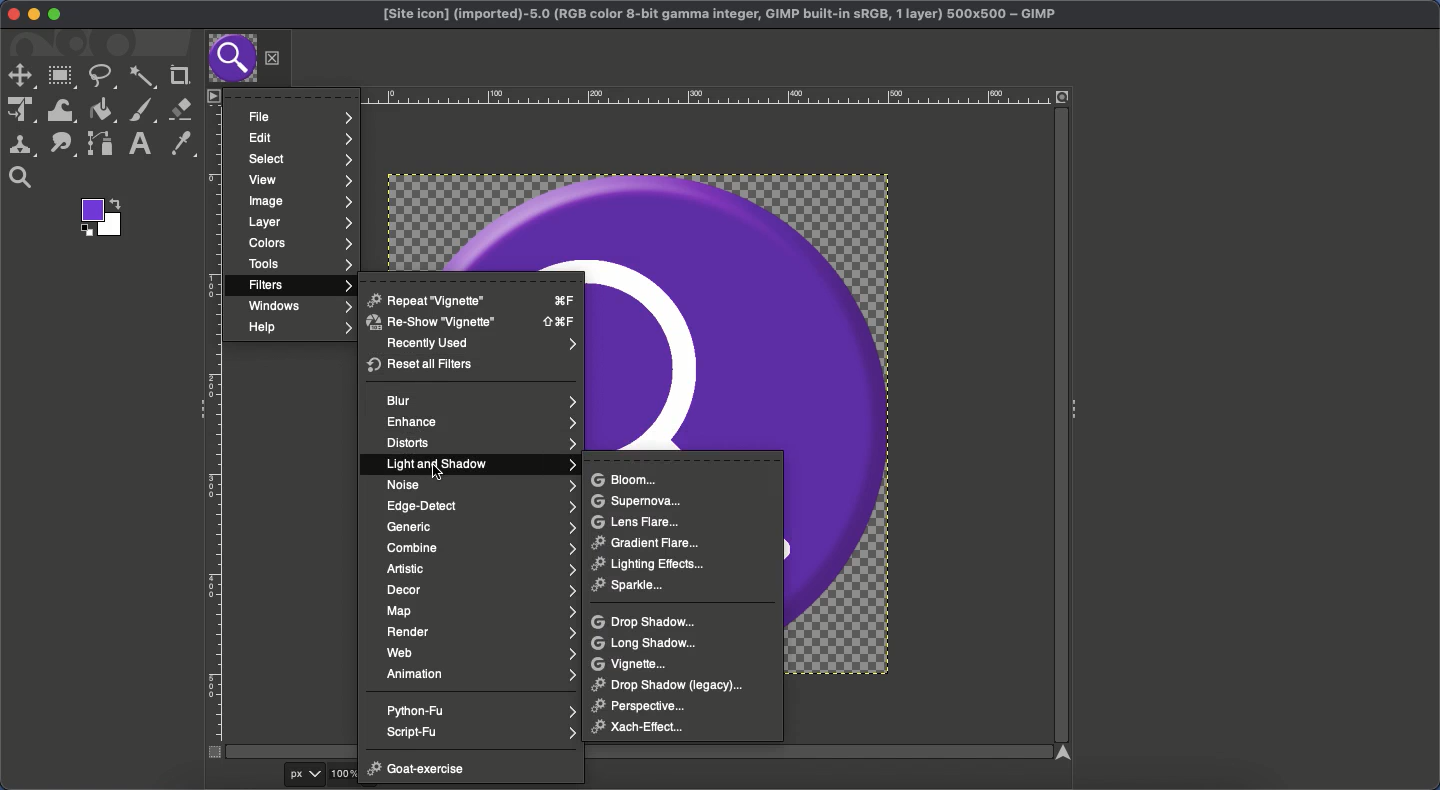 The width and height of the screenshot is (1440, 790). I want to click on Enhance, so click(478, 423).